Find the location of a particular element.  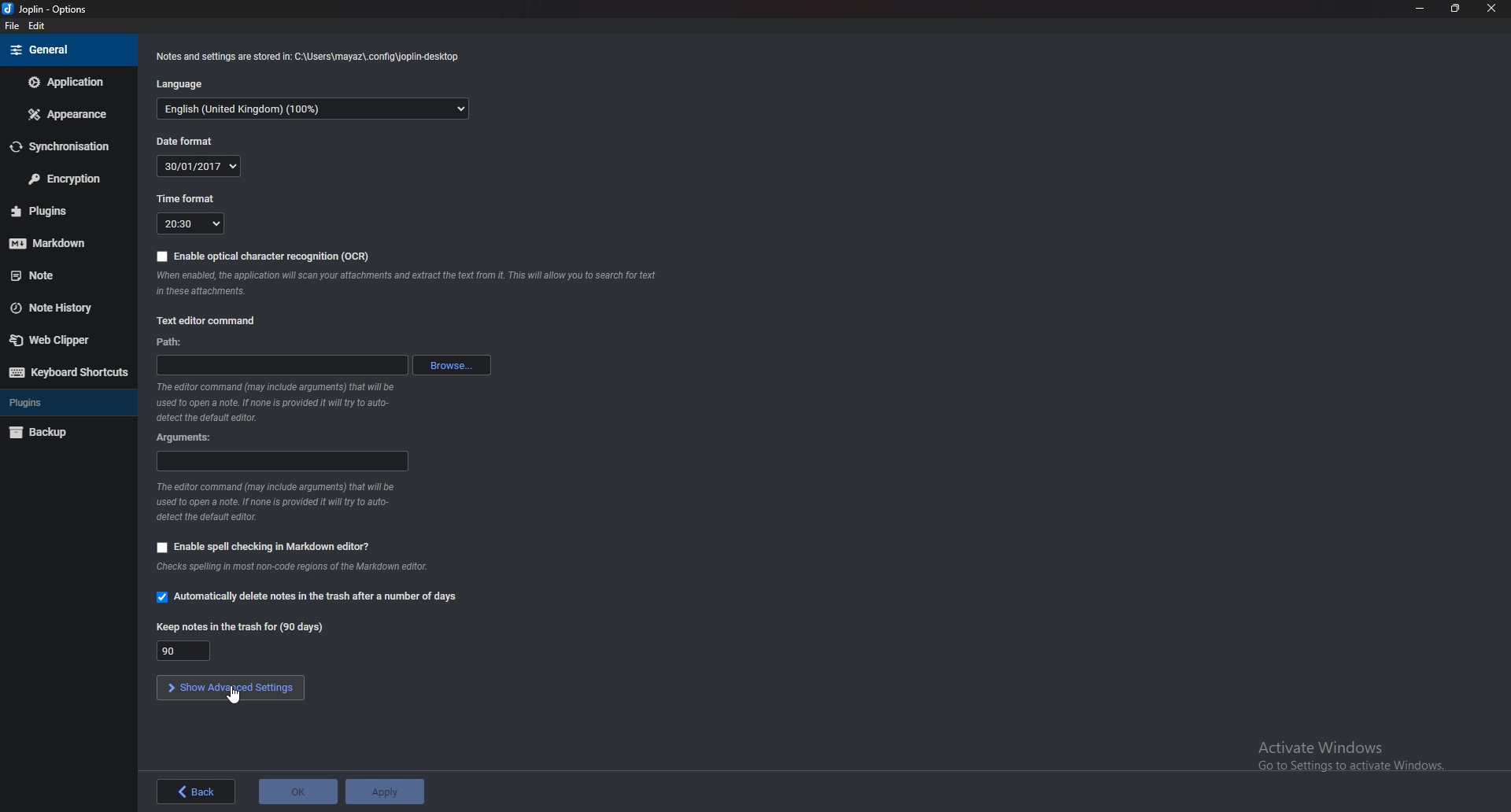

Plugins is located at coordinates (60, 401).